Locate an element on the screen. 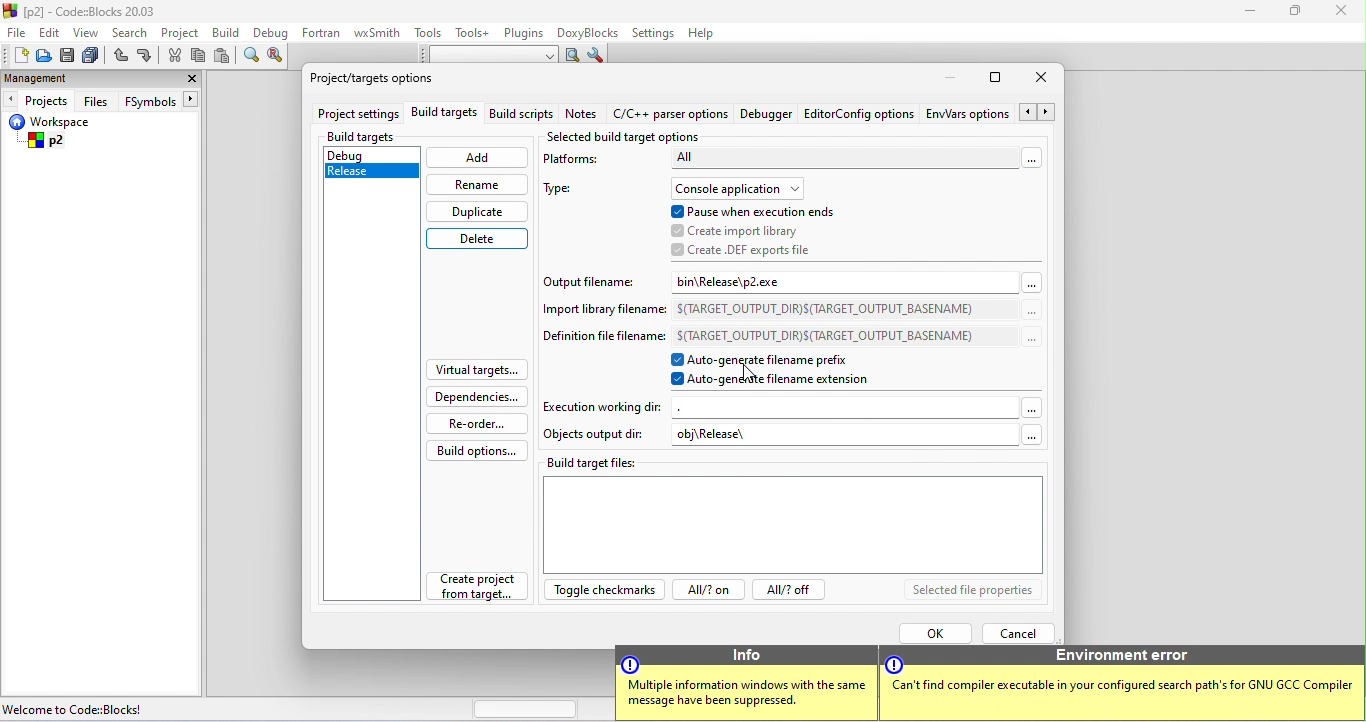 The width and height of the screenshot is (1366, 722). copy is located at coordinates (199, 56).